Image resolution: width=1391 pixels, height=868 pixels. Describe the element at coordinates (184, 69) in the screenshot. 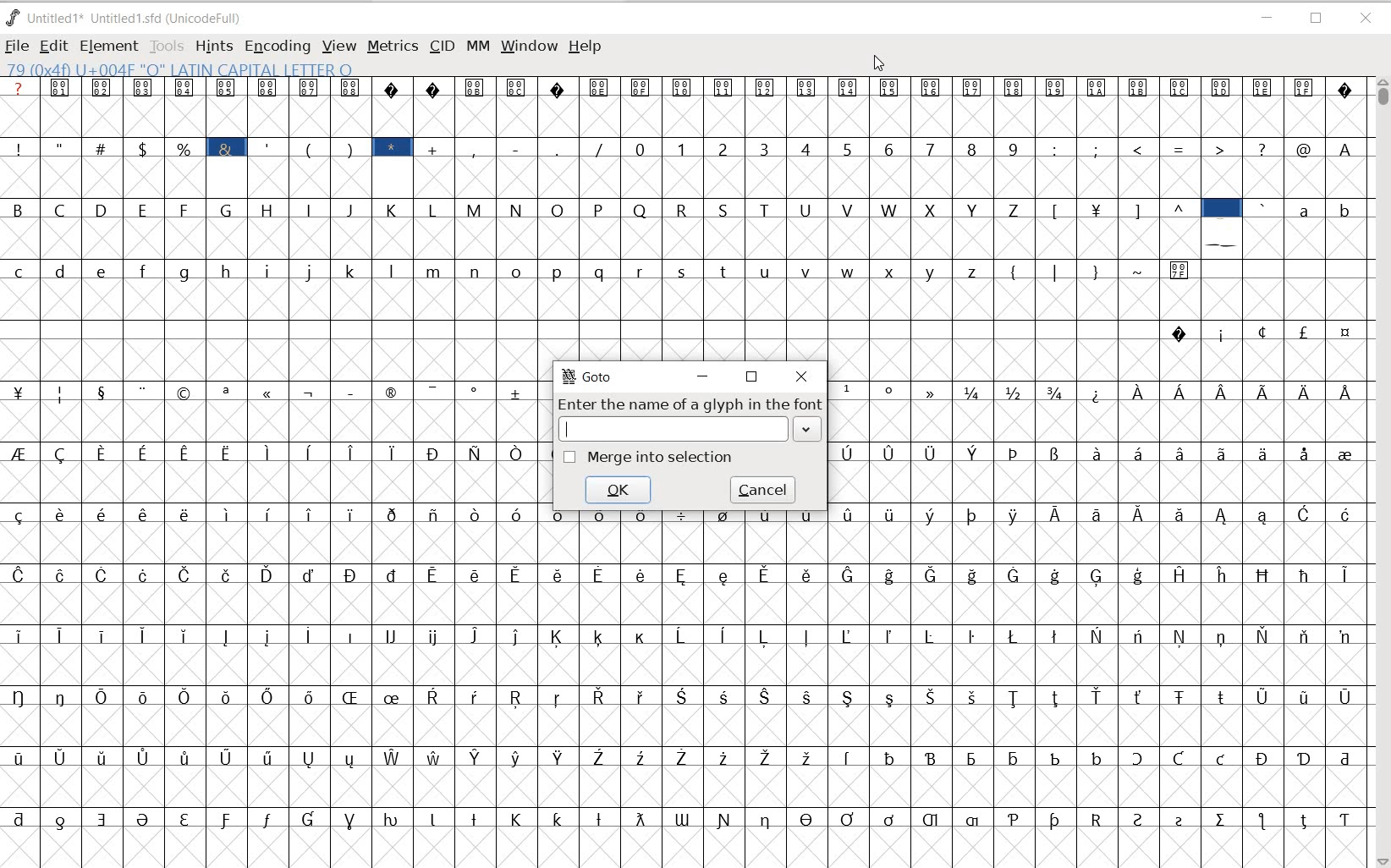

I see `79 (0+4f) U004F "O" LATIN CAPITAL LETTER O` at that location.